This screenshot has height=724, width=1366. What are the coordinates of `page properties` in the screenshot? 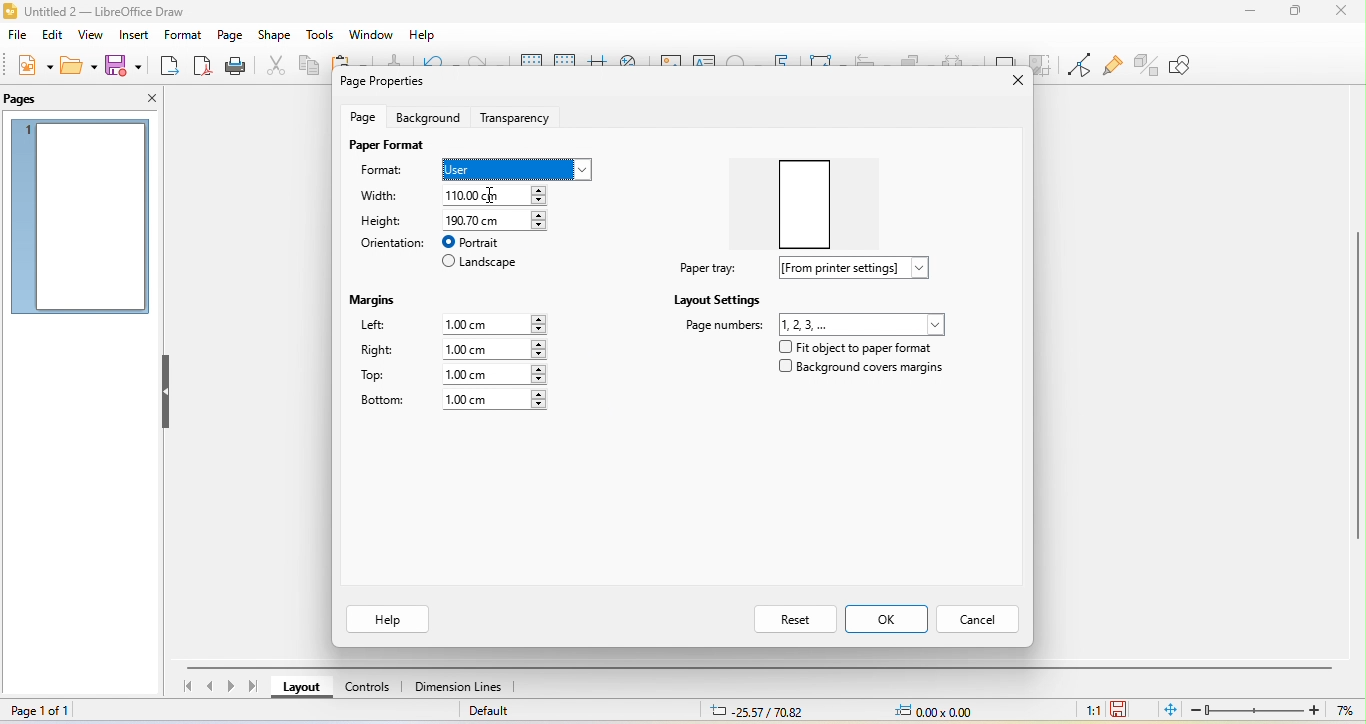 It's located at (388, 83).